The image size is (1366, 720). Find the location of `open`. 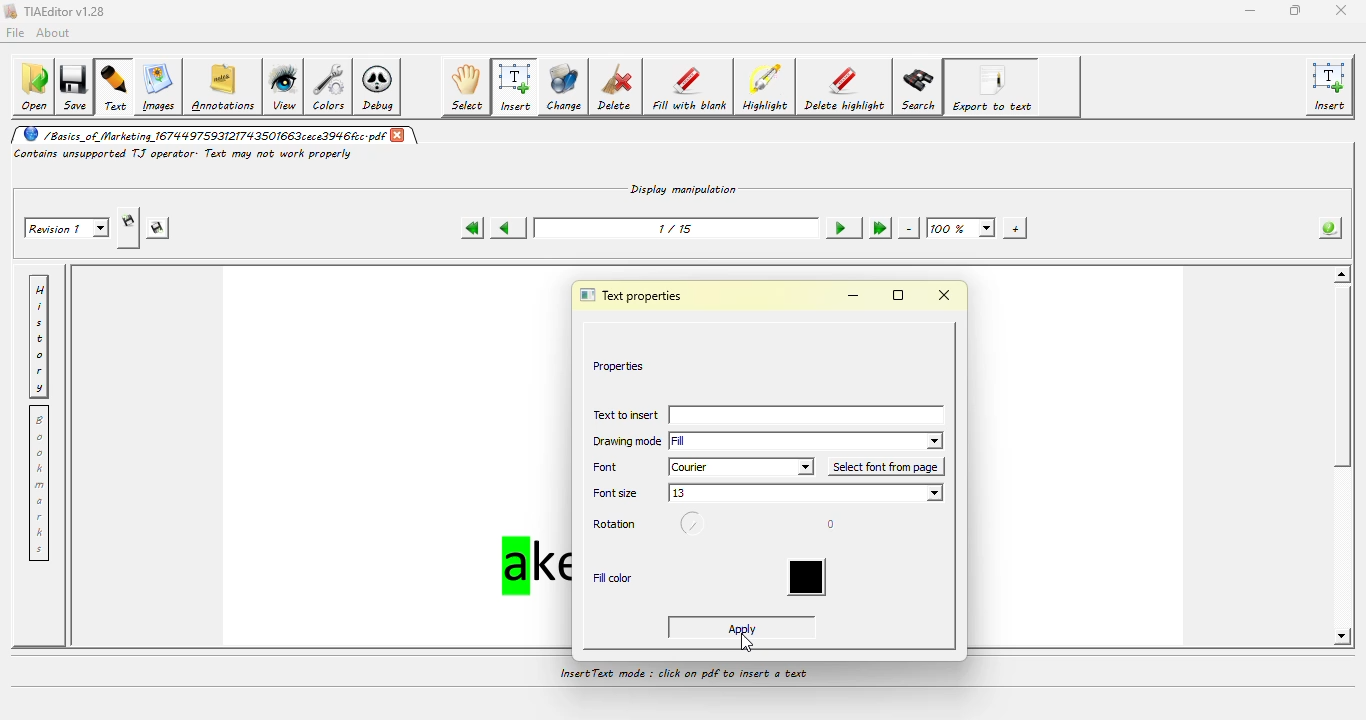

open is located at coordinates (33, 87).